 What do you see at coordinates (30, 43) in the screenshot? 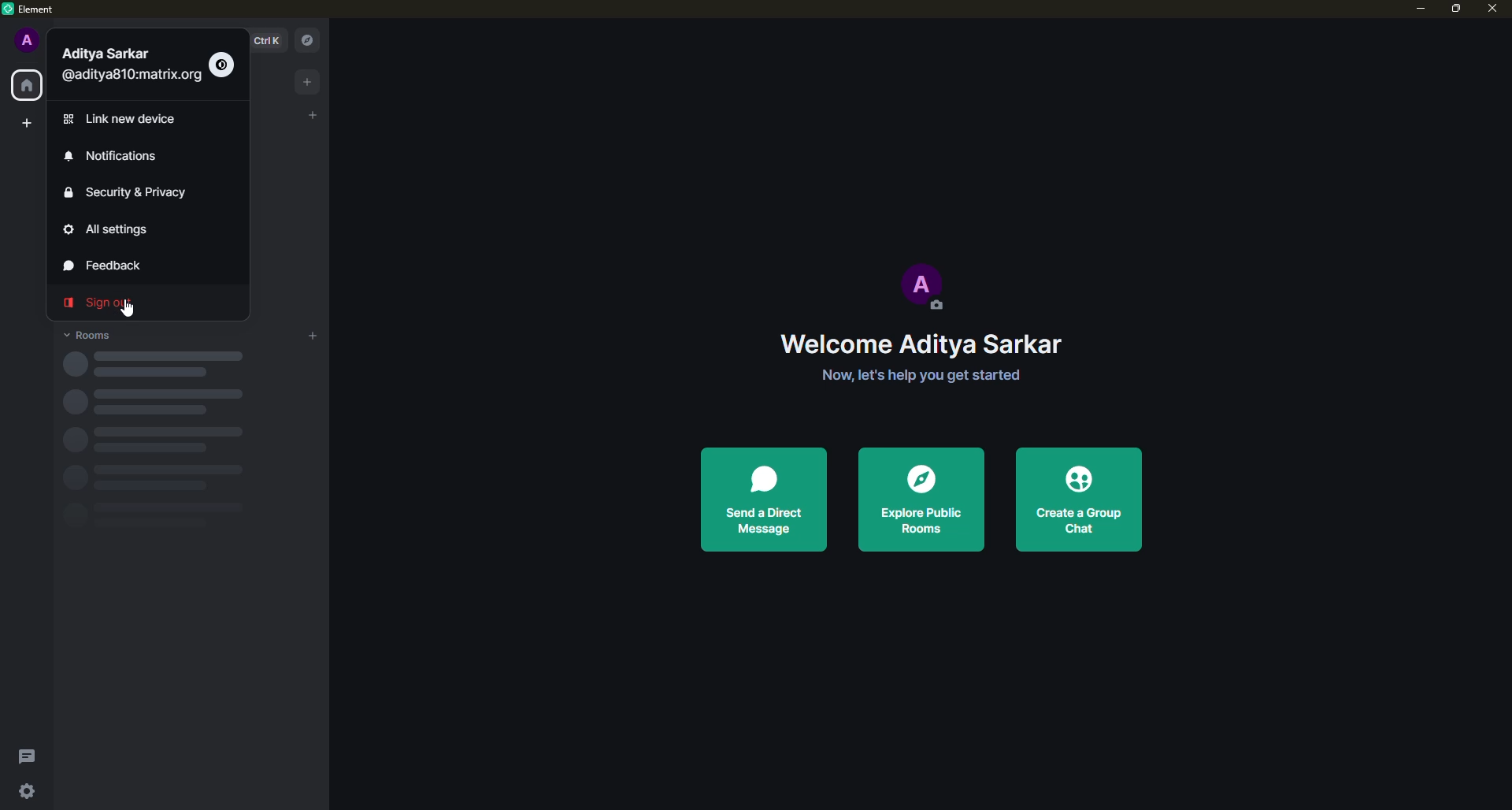
I see `profile` at bounding box center [30, 43].